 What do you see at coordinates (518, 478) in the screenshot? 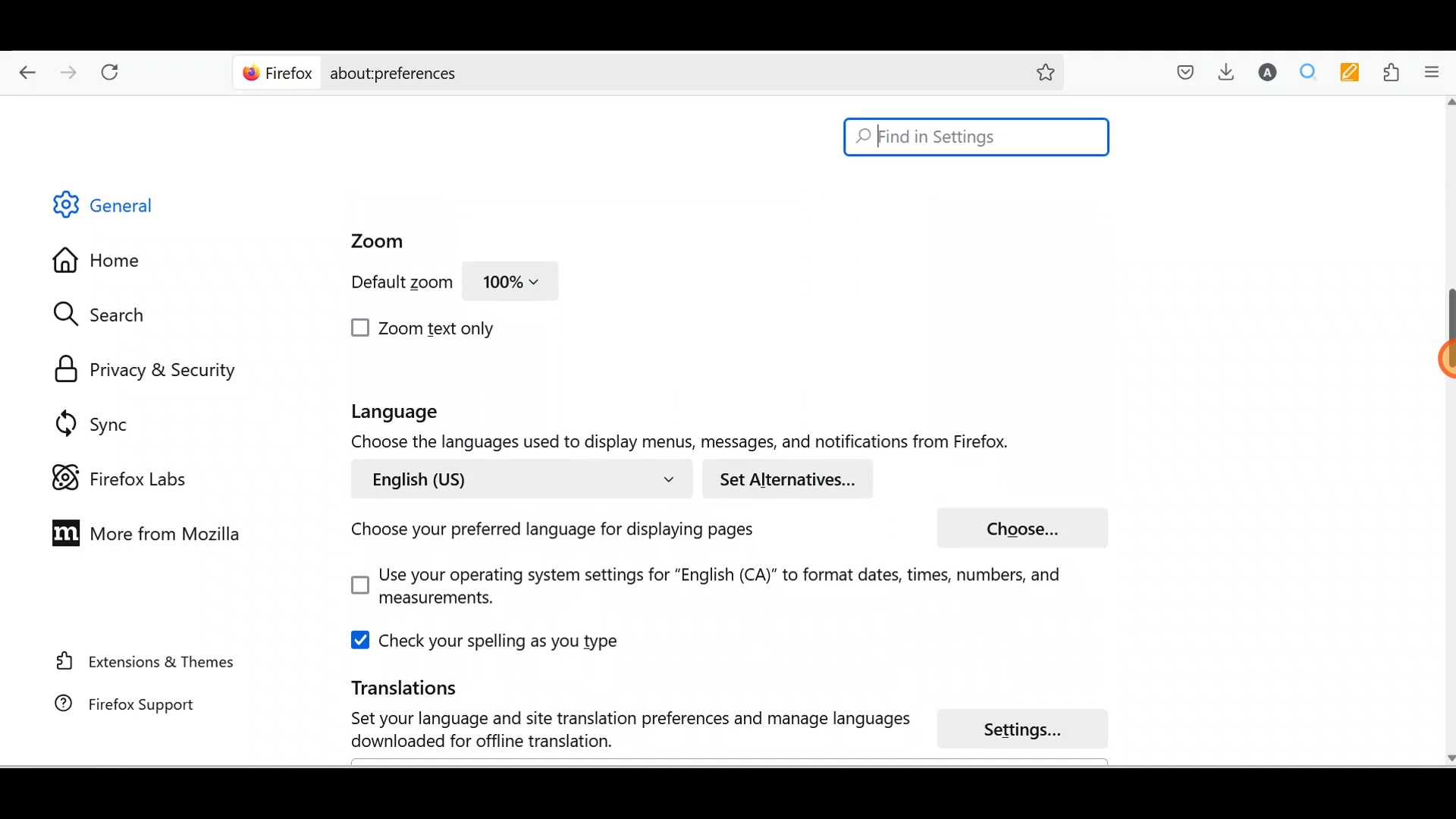
I see `English (US)` at bounding box center [518, 478].